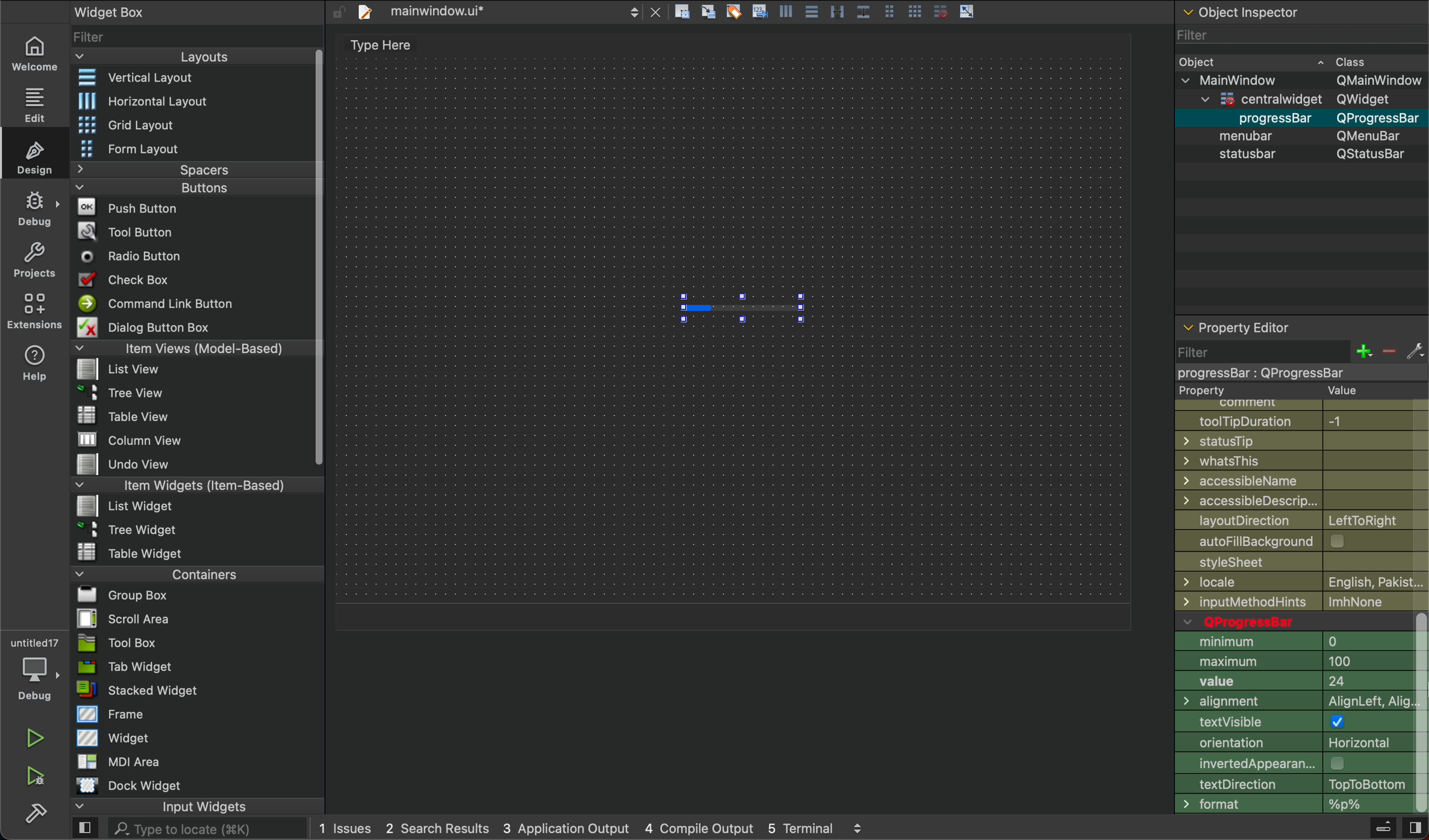  Describe the element at coordinates (34, 667) in the screenshot. I see `debugger` at that location.